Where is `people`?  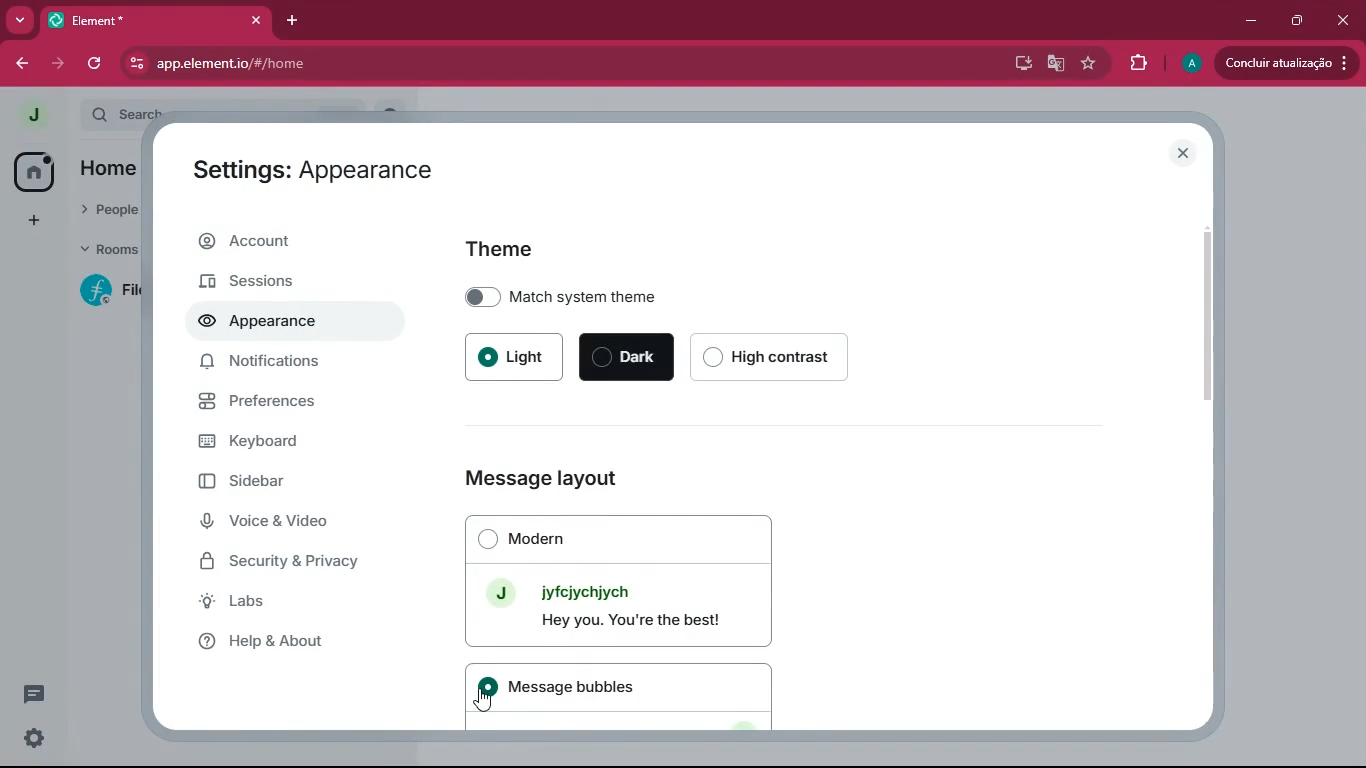 people is located at coordinates (111, 210).